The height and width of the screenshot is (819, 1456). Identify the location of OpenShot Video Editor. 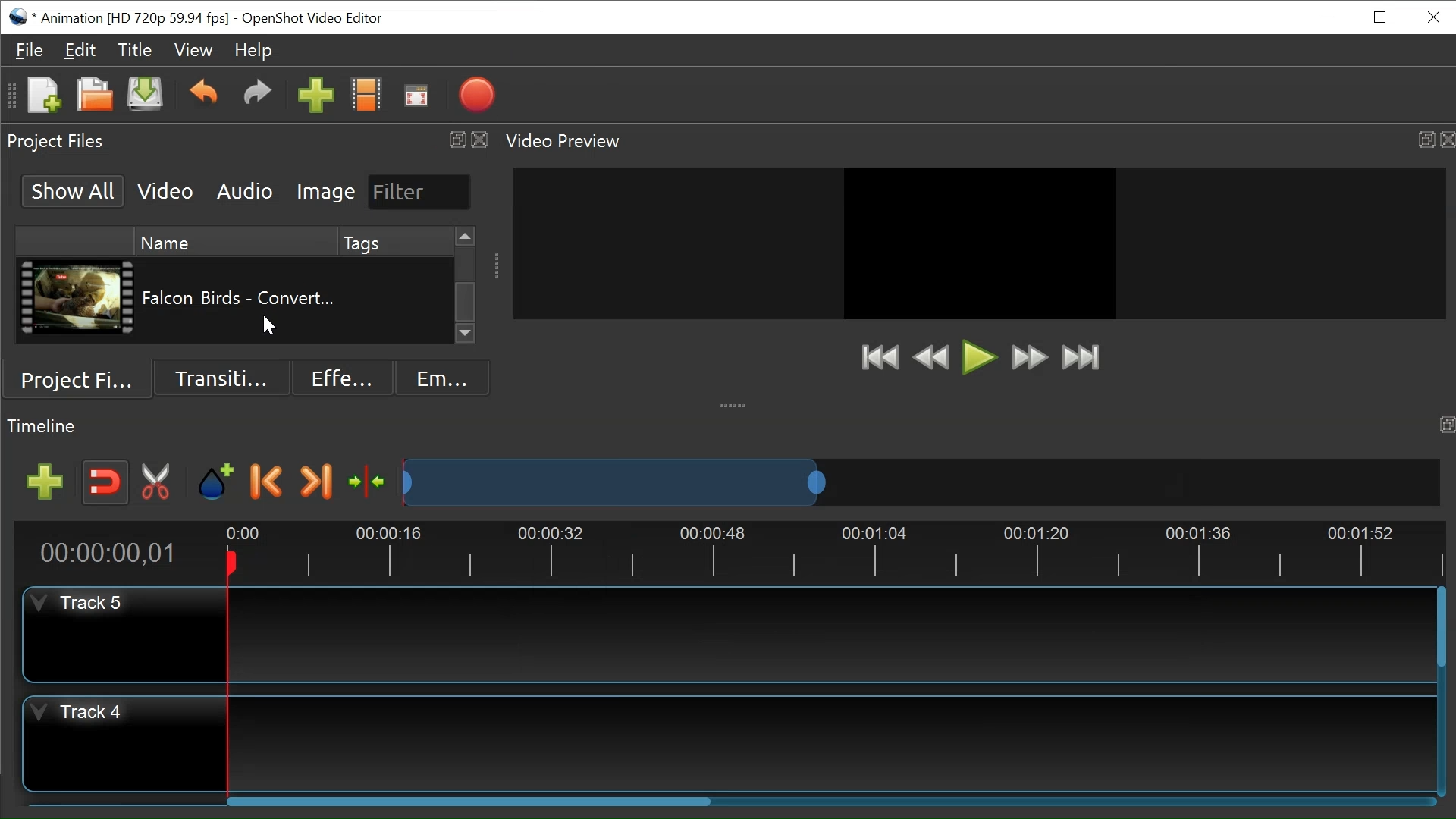
(312, 19).